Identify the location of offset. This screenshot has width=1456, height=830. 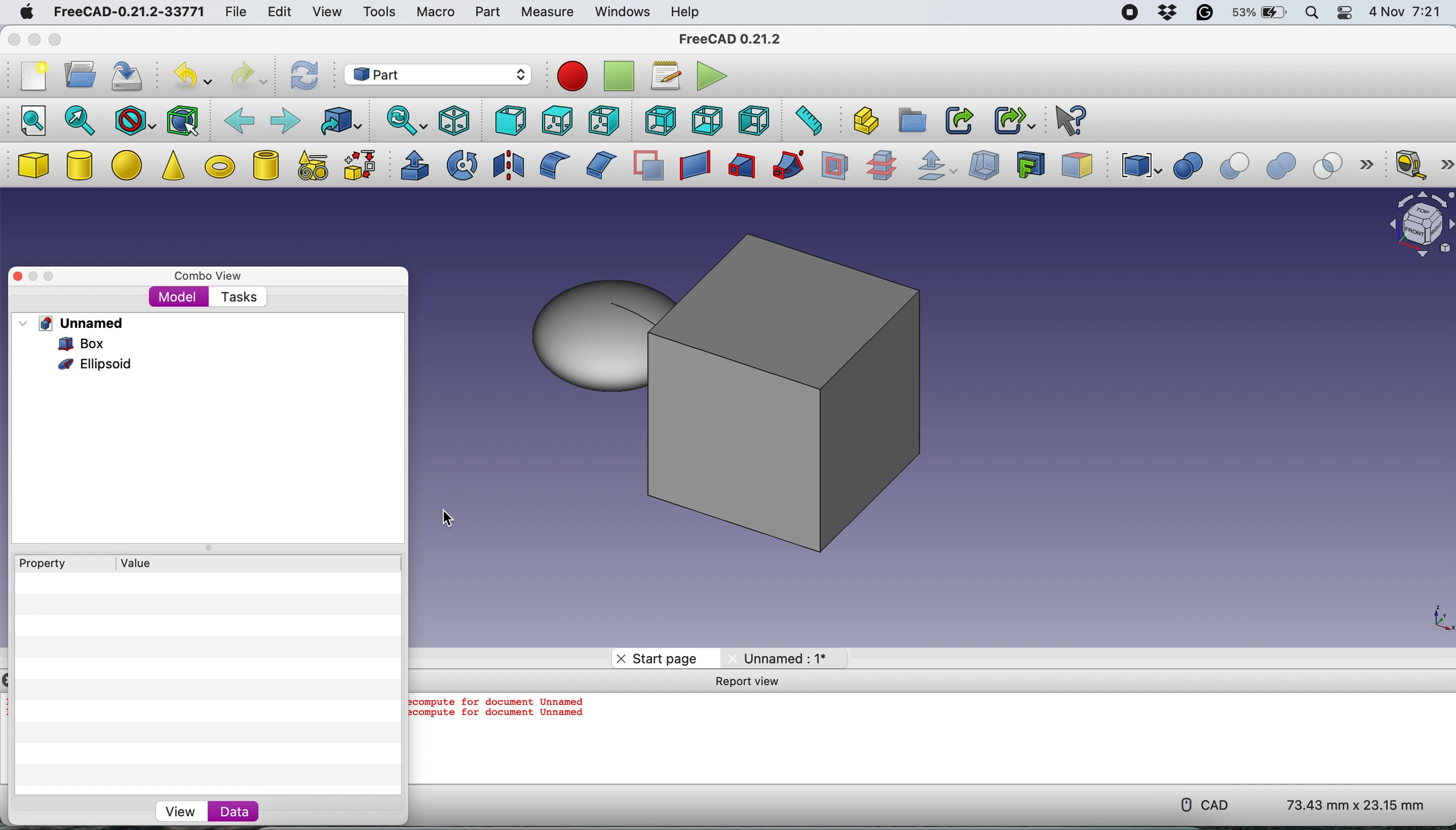
(937, 167).